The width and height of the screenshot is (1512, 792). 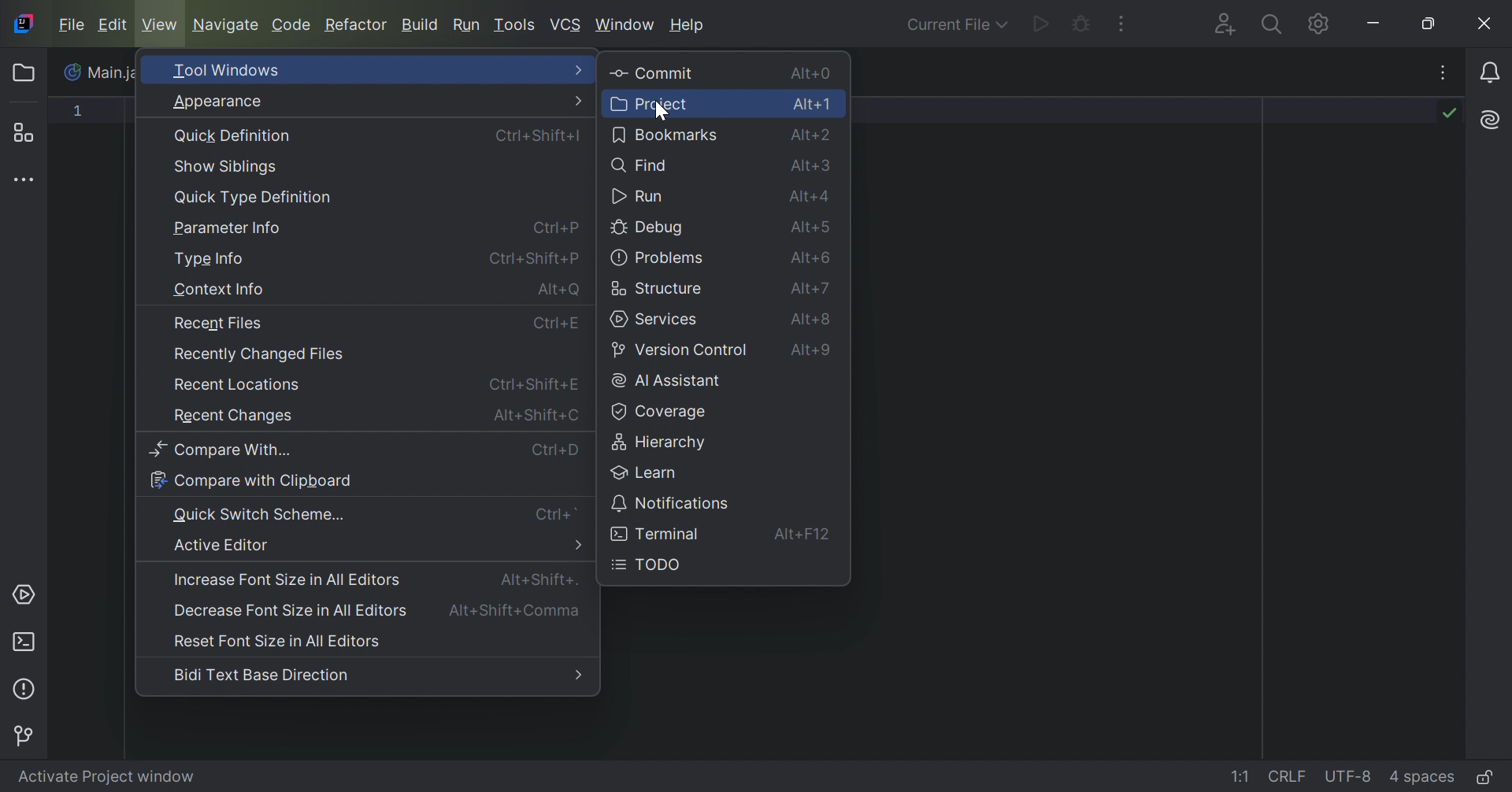 What do you see at coordinates (643, 472) in the screenshot?
I see `Learn` at bounding box center [643, 472].